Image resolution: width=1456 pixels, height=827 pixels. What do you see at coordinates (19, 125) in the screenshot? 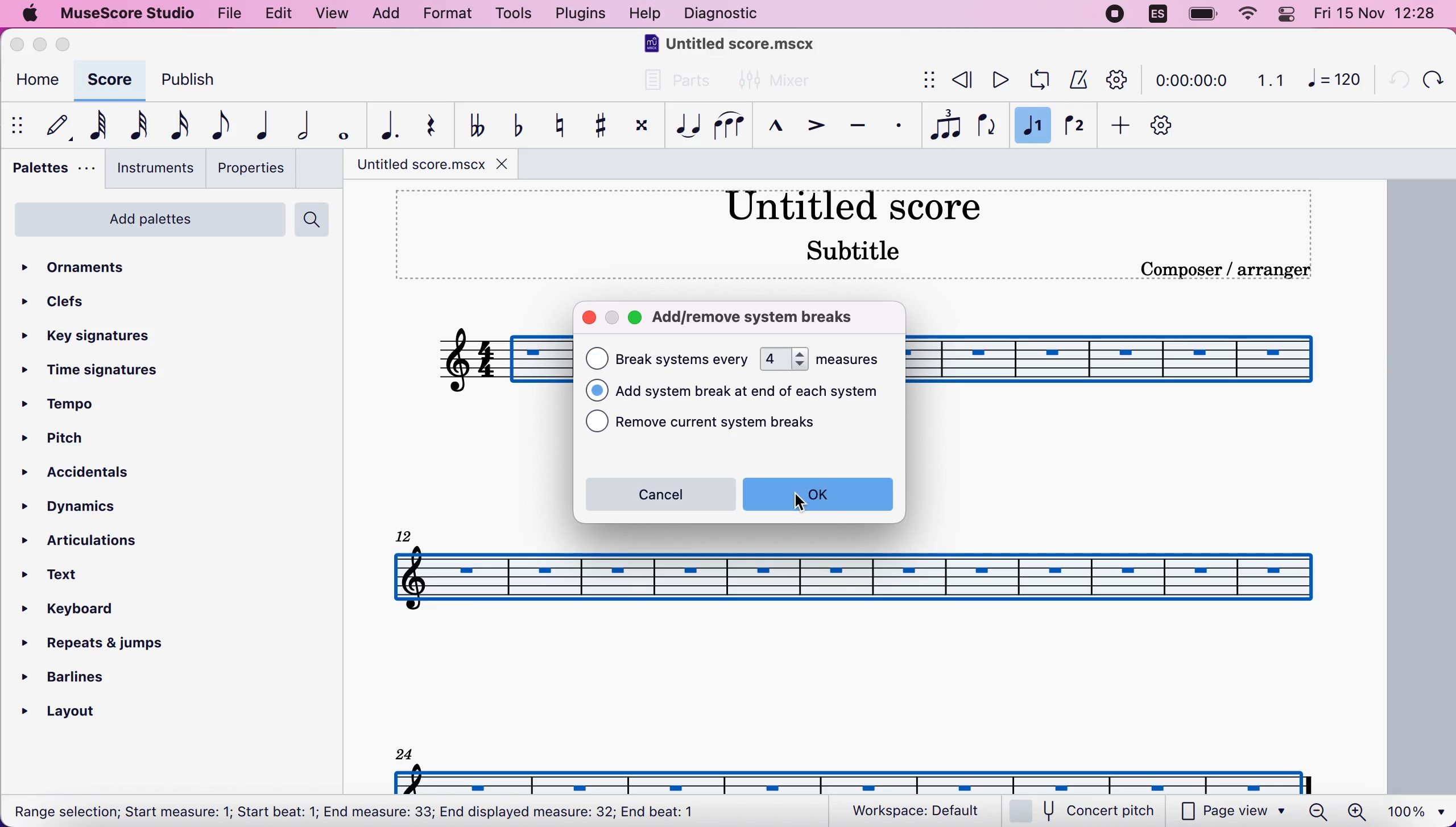
I see `show/hide` at bounding box center [19, 125].